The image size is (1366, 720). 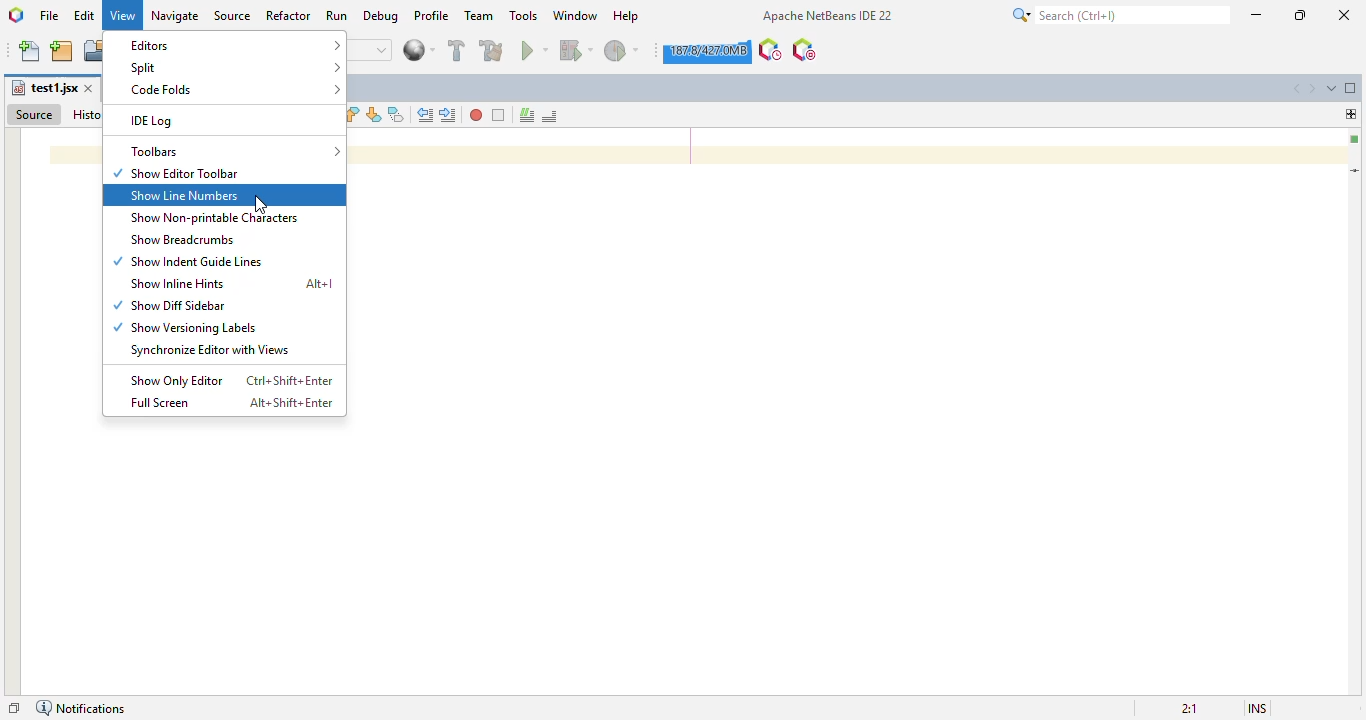 What do you see at coordinates (1344, 15) in the screenshot?
I see `close` at bounding box center [1344, 15].